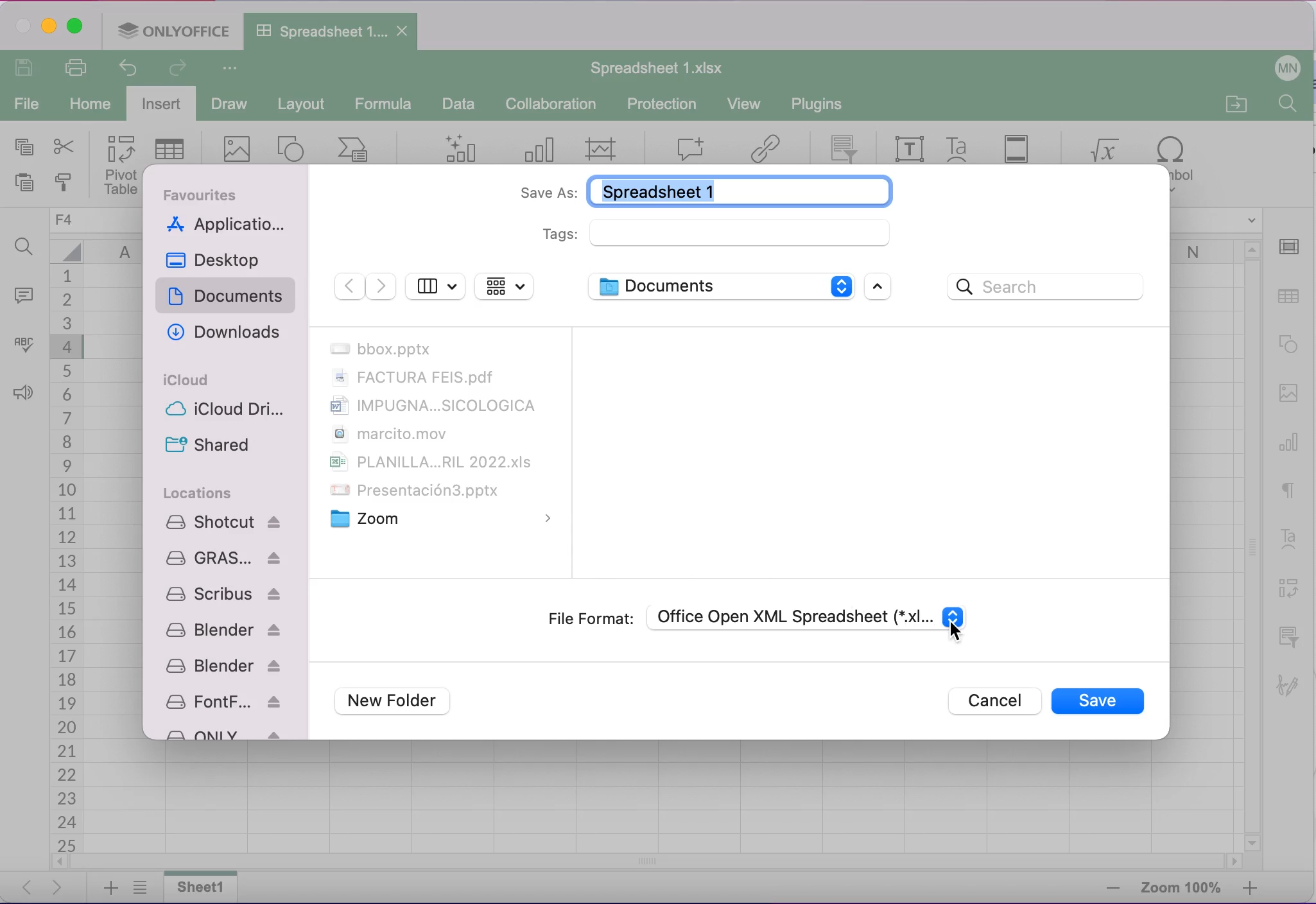 The height and width of the screenshot is (904, 1316). Describe the element at coordinates (505, 286) in the screenshot. I see `group items by` at that location.